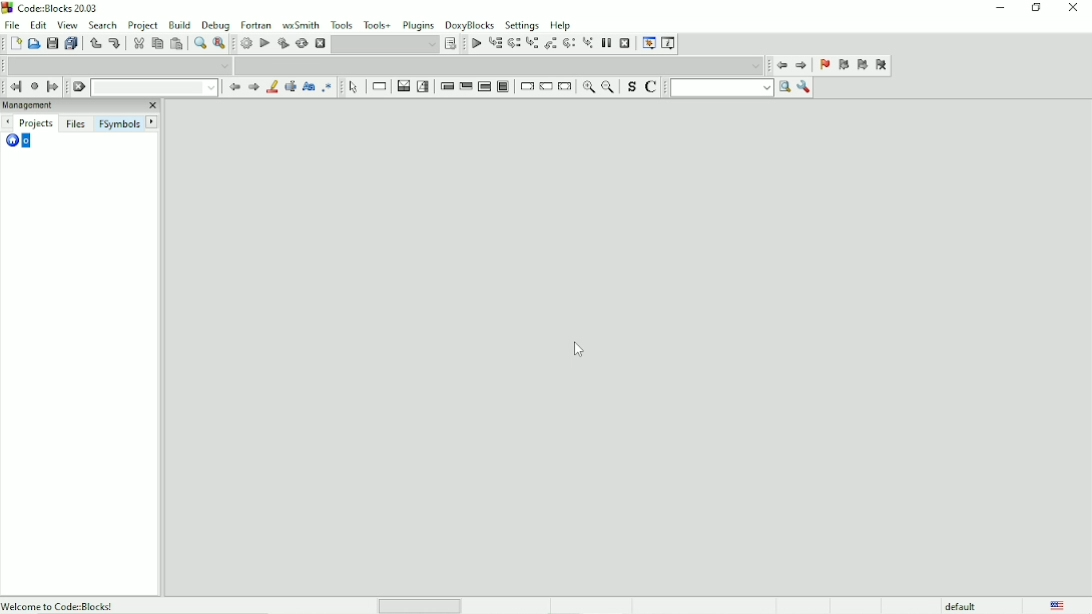  I want to click on Edit, so click(38, 24).